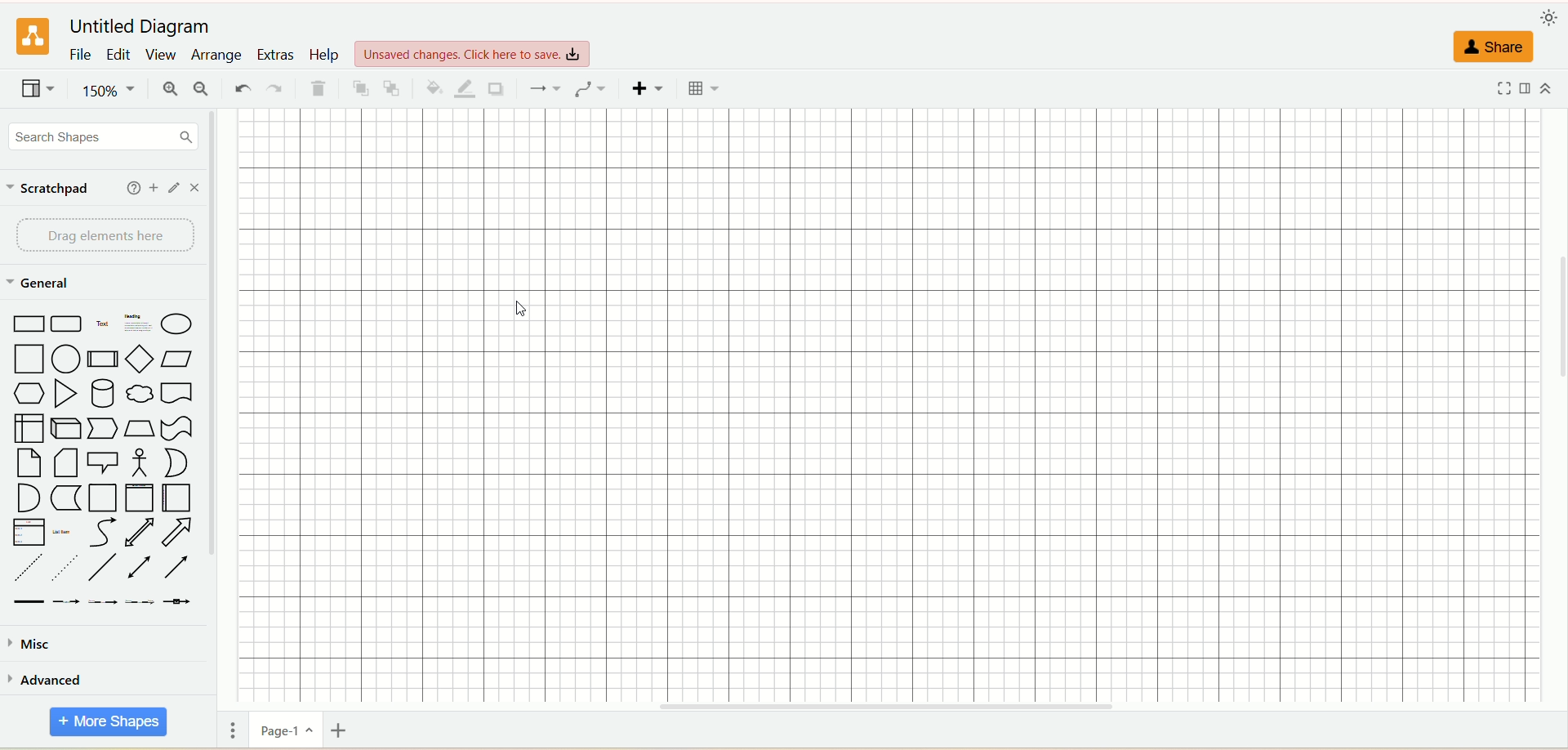 This screenshot has height=750, width=1568. Describe the element at coordinates (173, 89) in the screenshot. I see `zoom in` at that location.